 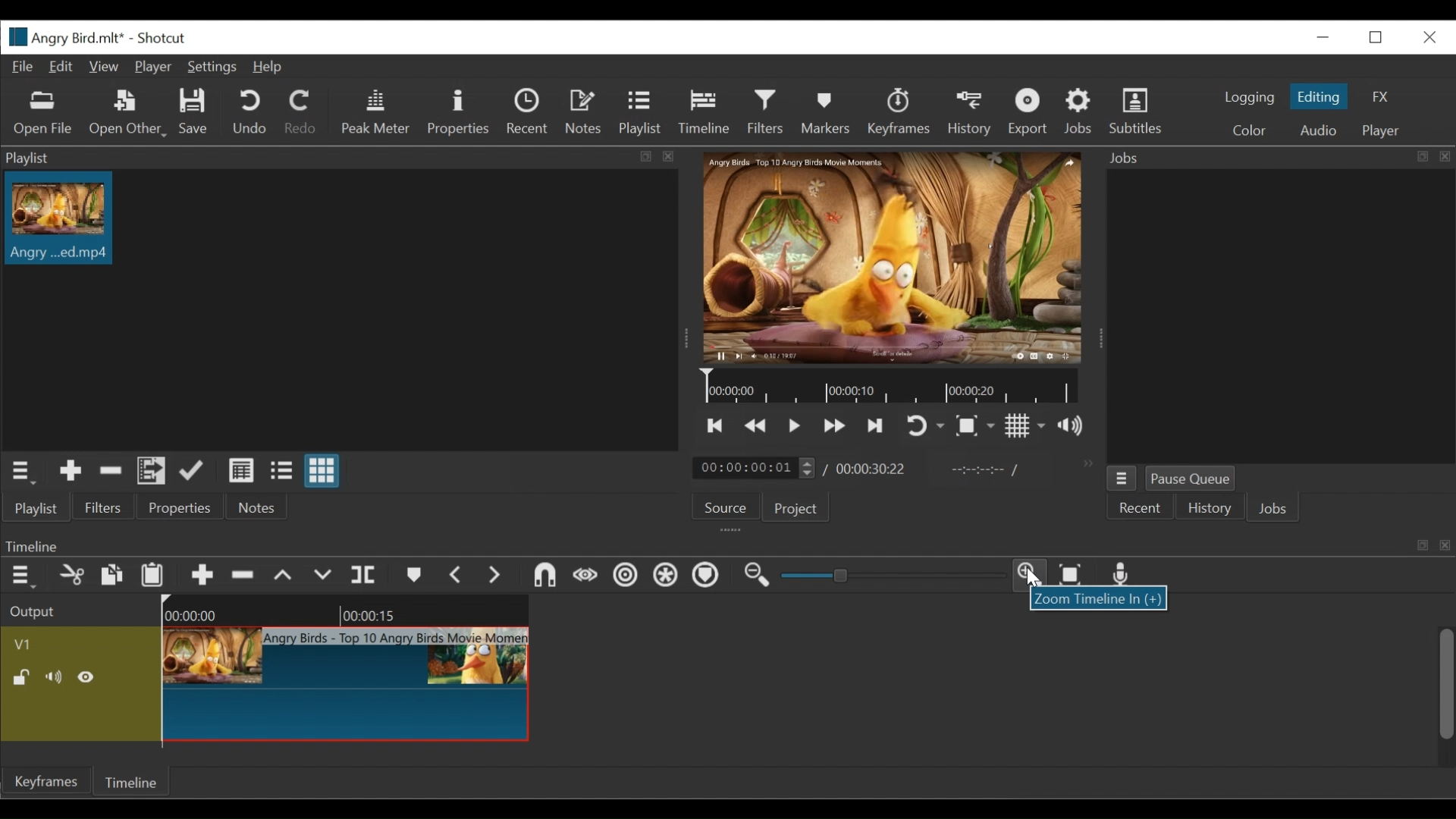 What do you see at coordinates (21, 67) in the screenshot?
I see `File` at bounding box center [21, 67].